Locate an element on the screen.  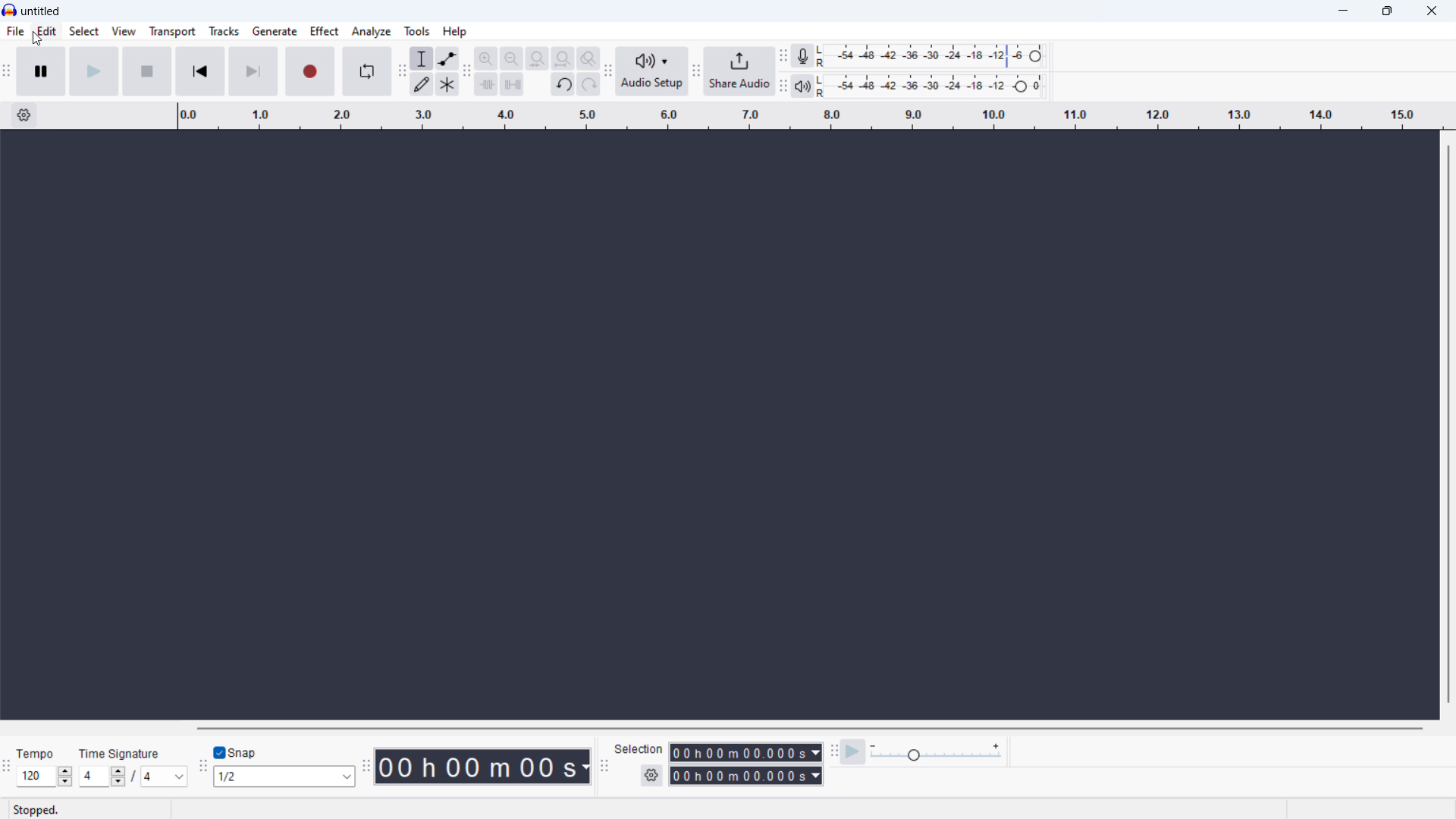
file is located at coordinates (16, 31).